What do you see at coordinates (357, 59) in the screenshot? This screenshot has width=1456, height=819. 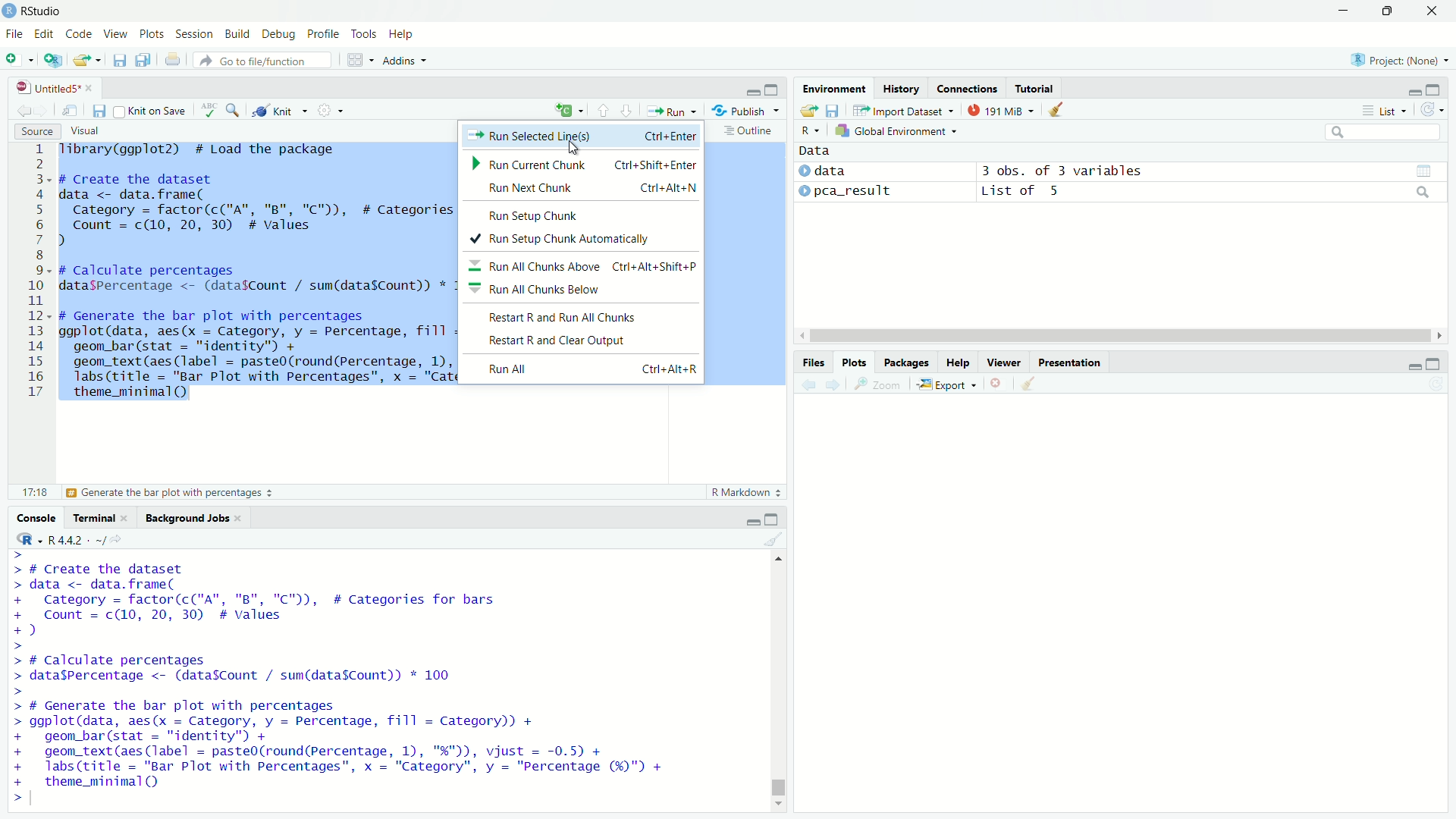 I see `workspace panes` at bounding box center [357, 59].